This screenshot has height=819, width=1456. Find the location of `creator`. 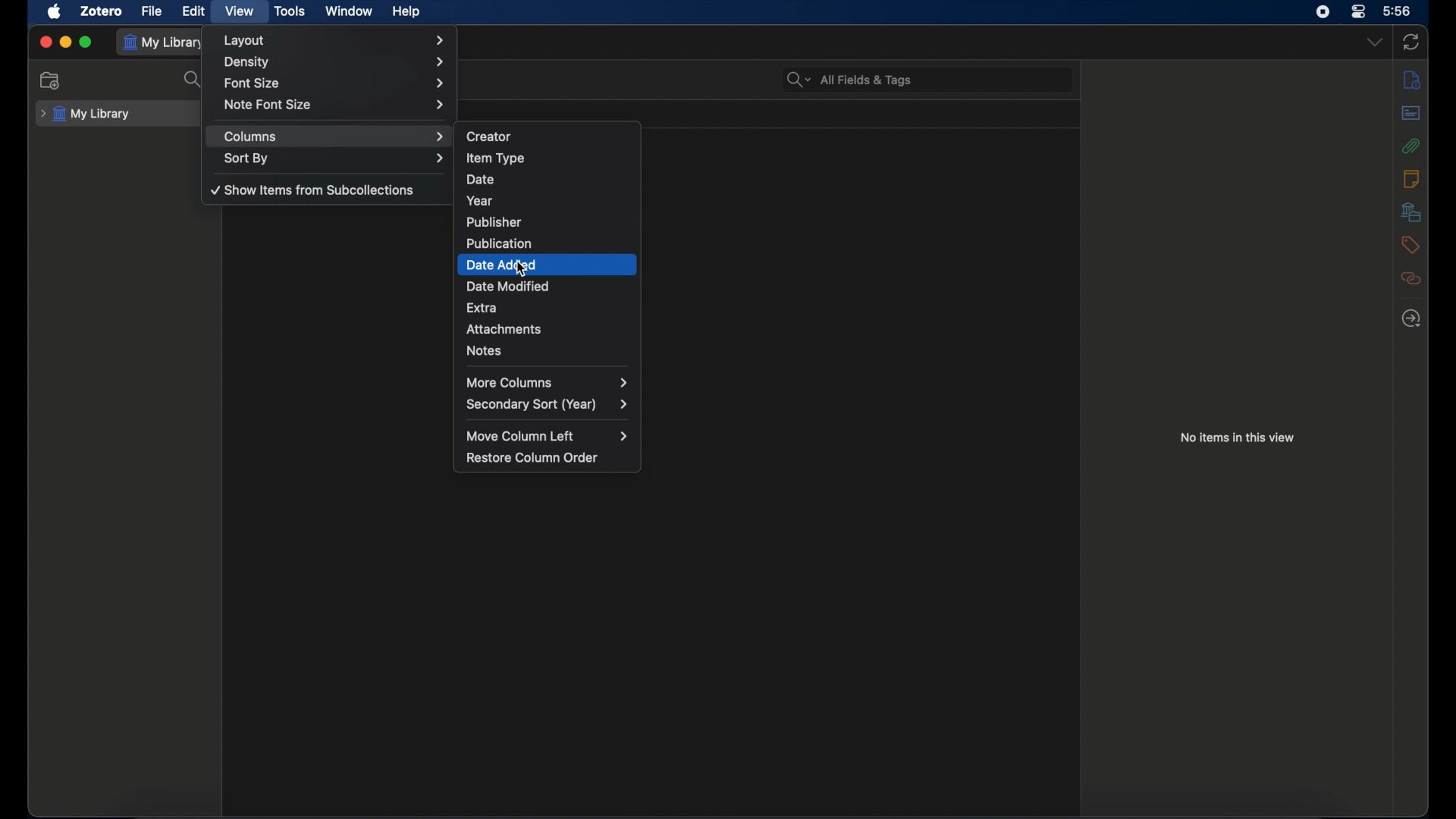

creator is located at coordinates (549, 135).